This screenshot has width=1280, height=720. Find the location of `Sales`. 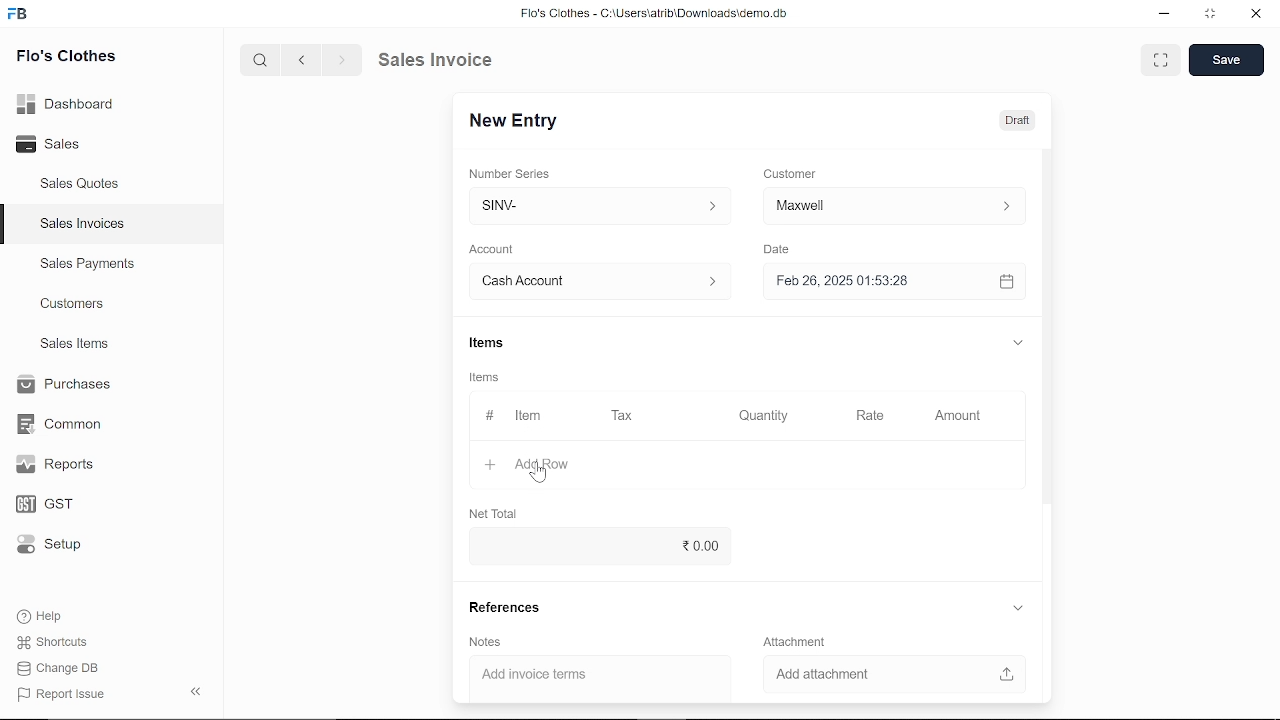

Sales is located at coordinates (70, 145).